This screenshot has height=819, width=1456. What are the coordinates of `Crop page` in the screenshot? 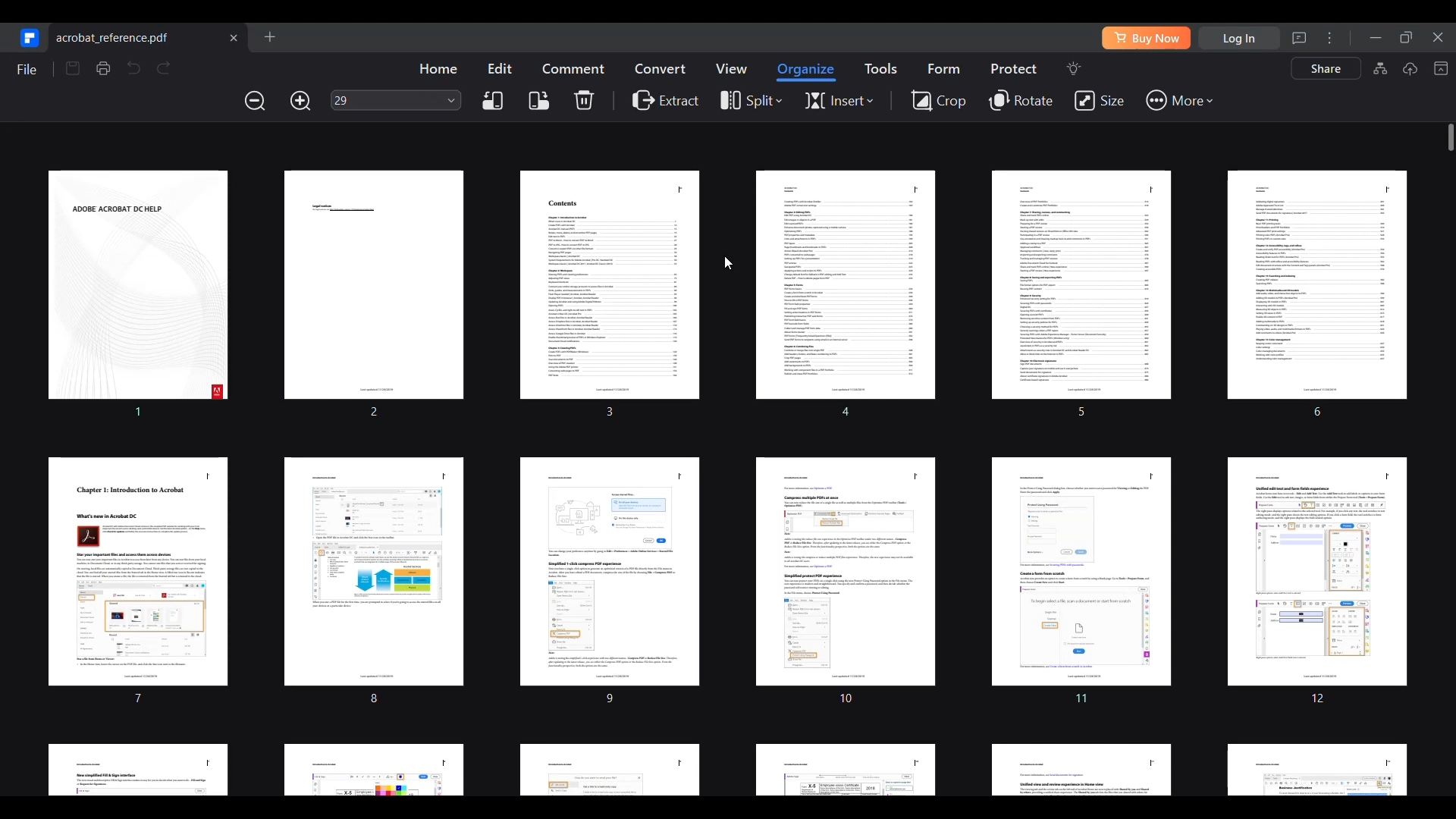 It's located at (938, 99).